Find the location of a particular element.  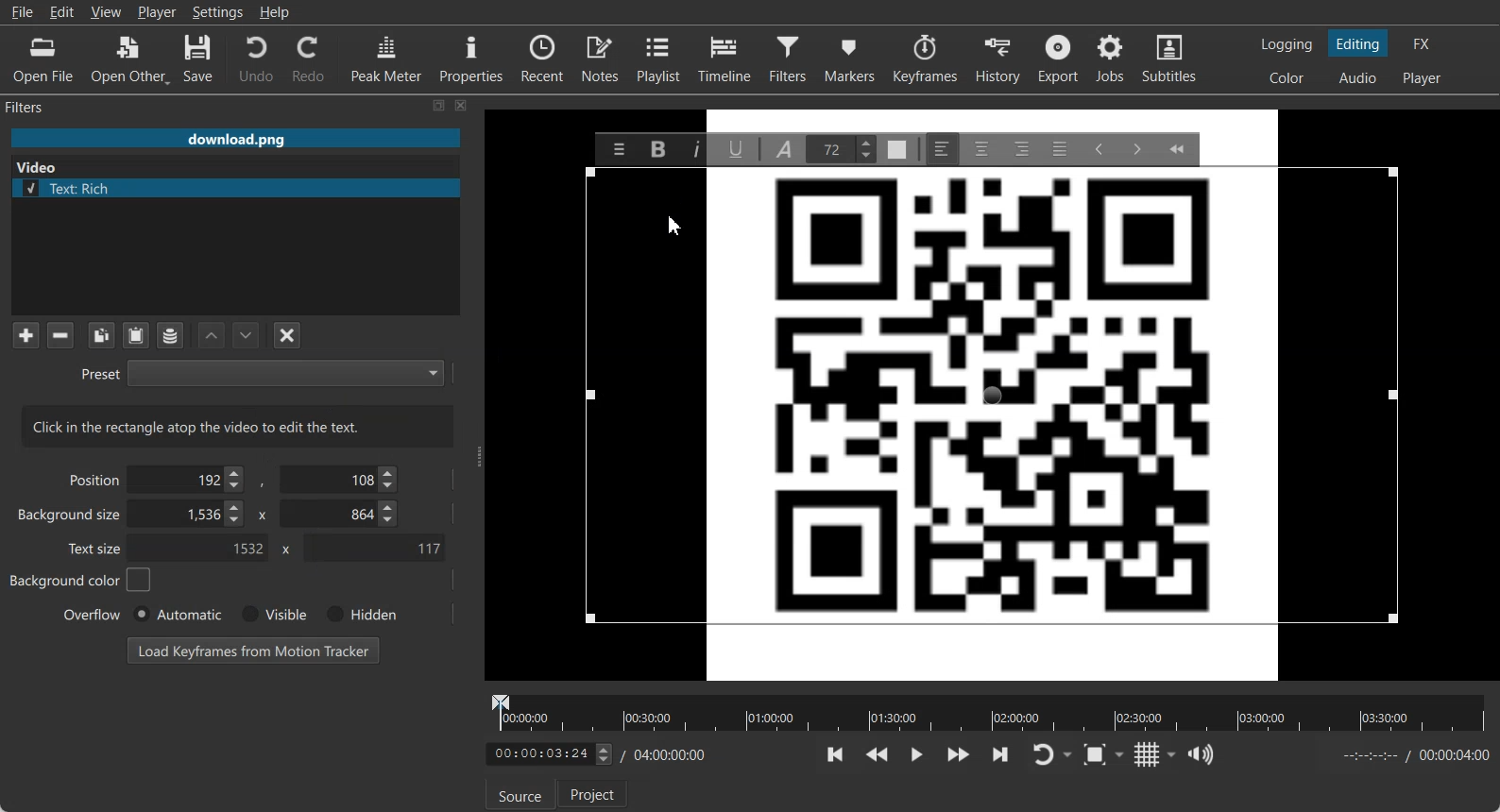

Left is located at coordinates (942, 148).